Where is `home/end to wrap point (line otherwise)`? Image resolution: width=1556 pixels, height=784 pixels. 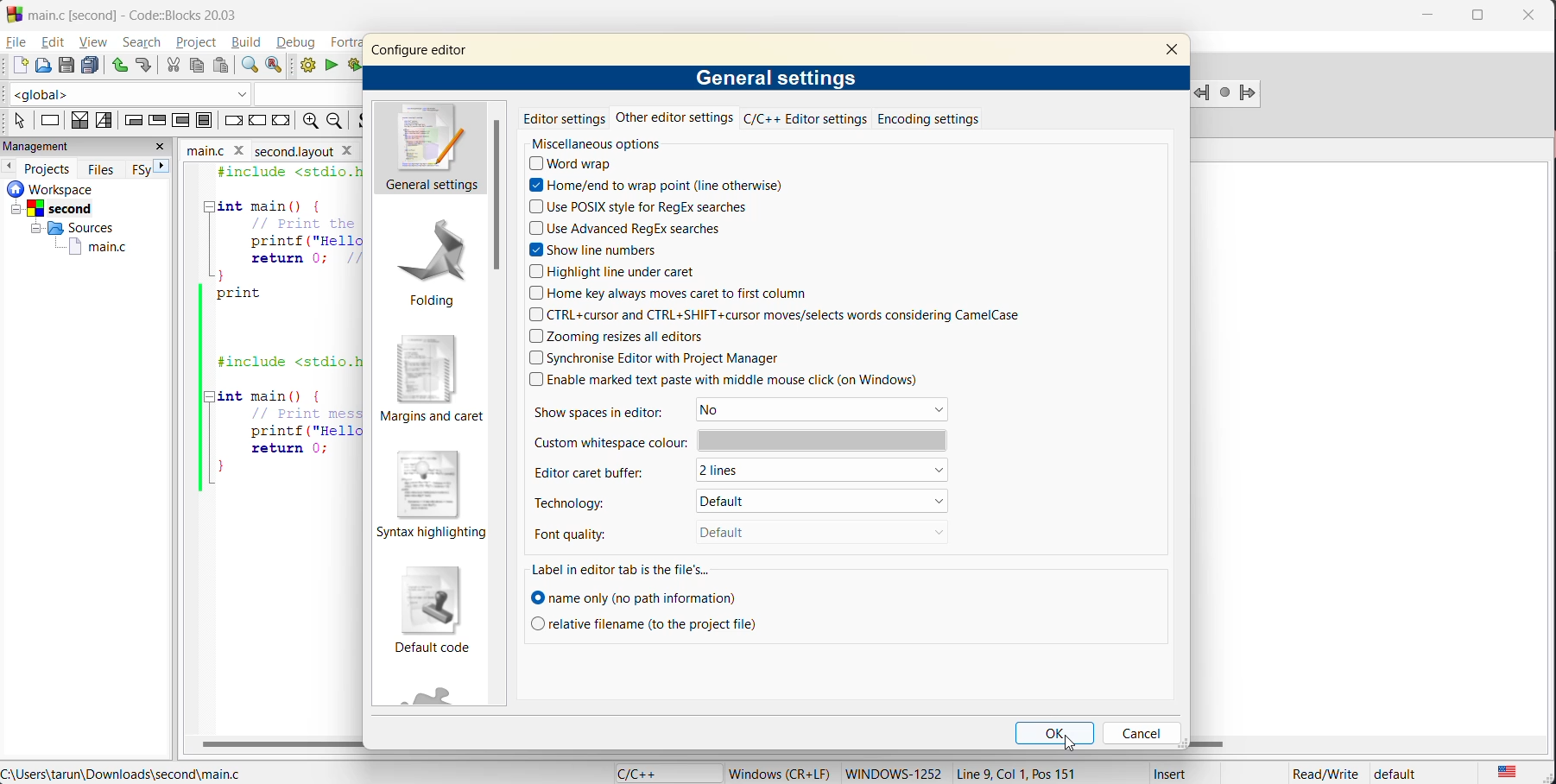
home/end to wrap point (line otherwise) is located at coordinates (655, 185).